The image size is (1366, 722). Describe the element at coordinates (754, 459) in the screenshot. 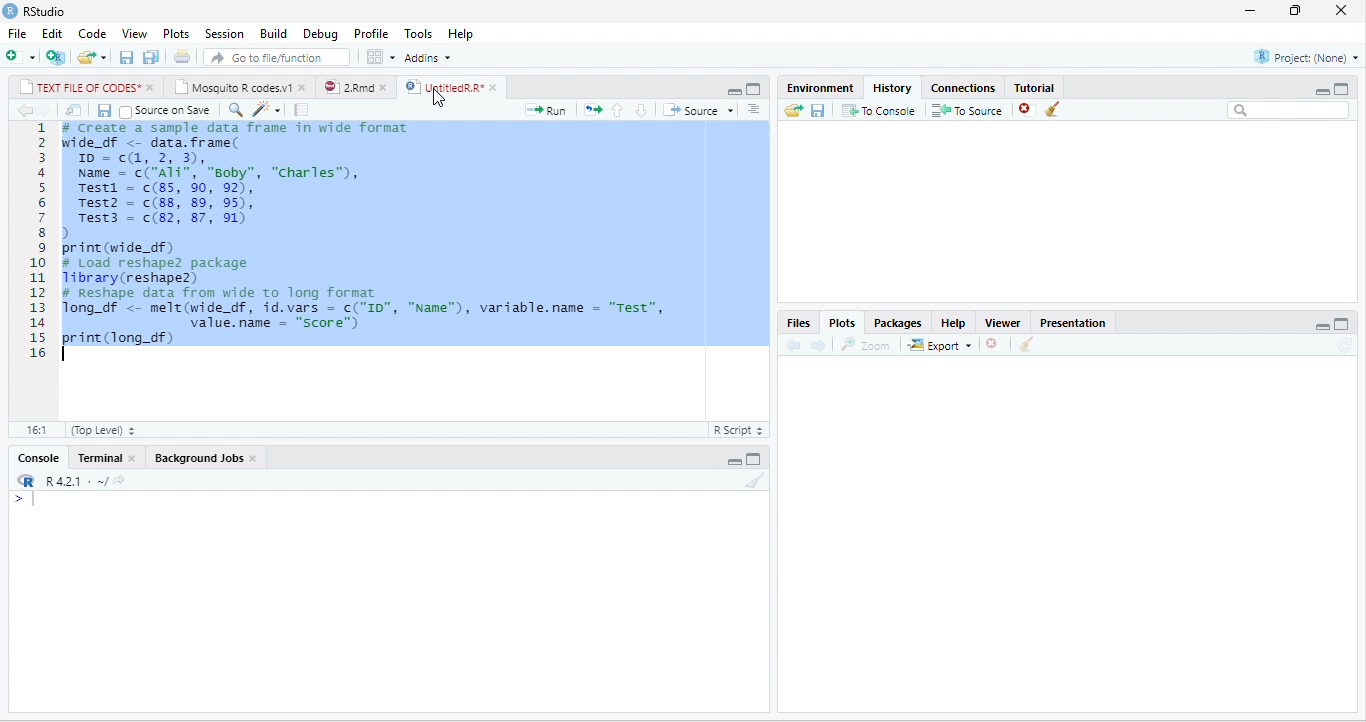

I see `maximize` at that location.